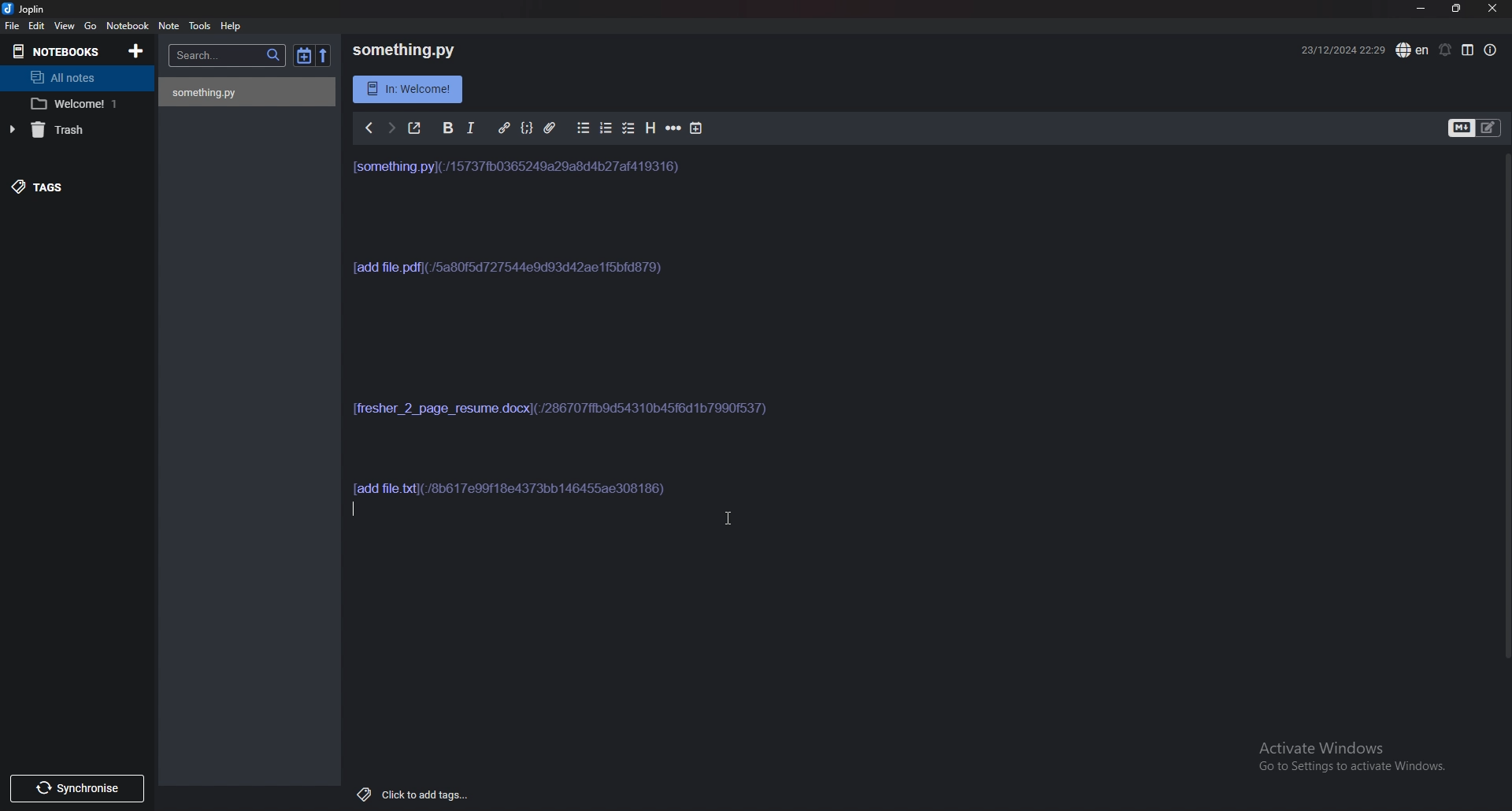 This screenshot has height=811, width=1512. I want to click on Search, so click(228, 56).